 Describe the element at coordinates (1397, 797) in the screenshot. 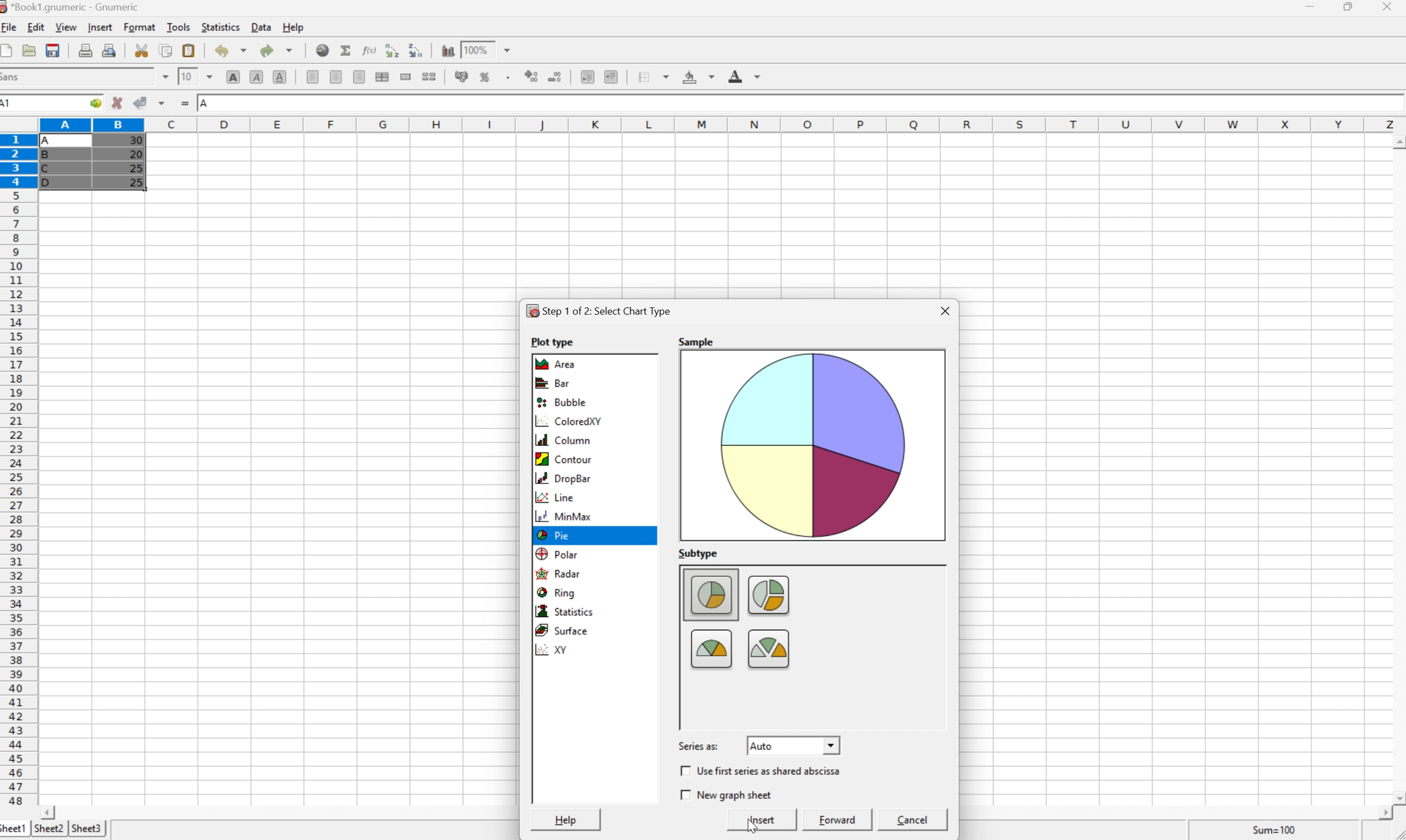

I see `Scroll Down` at that location.